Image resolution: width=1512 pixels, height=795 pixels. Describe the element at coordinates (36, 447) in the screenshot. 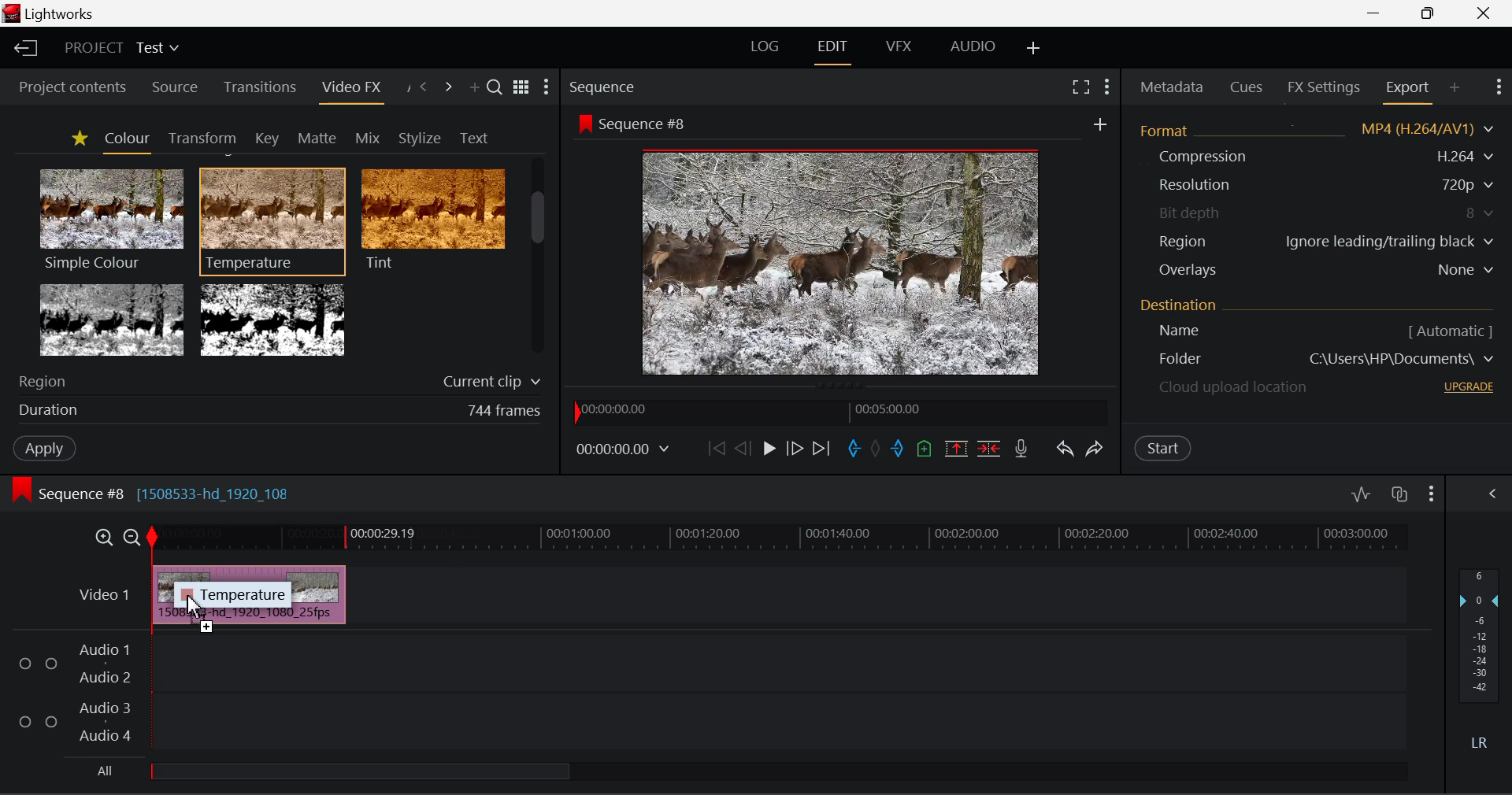

I see `Apply` at that location.